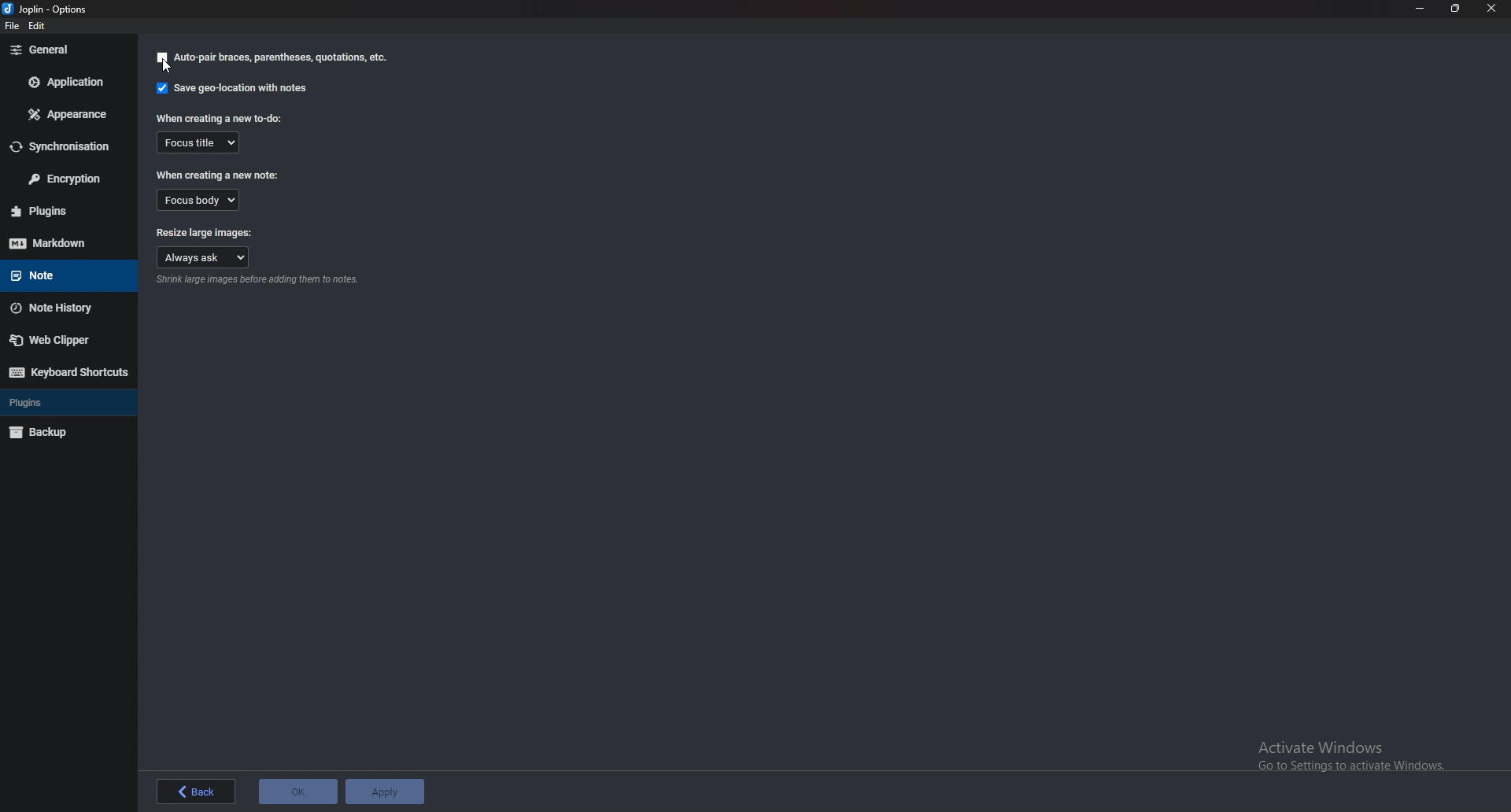 This screenshot has height=812, width=1511. What do you see at coordinates (68, 372) in the screenshot?
I see `Keyboard shortcuts` at bounding box center [68, 372].